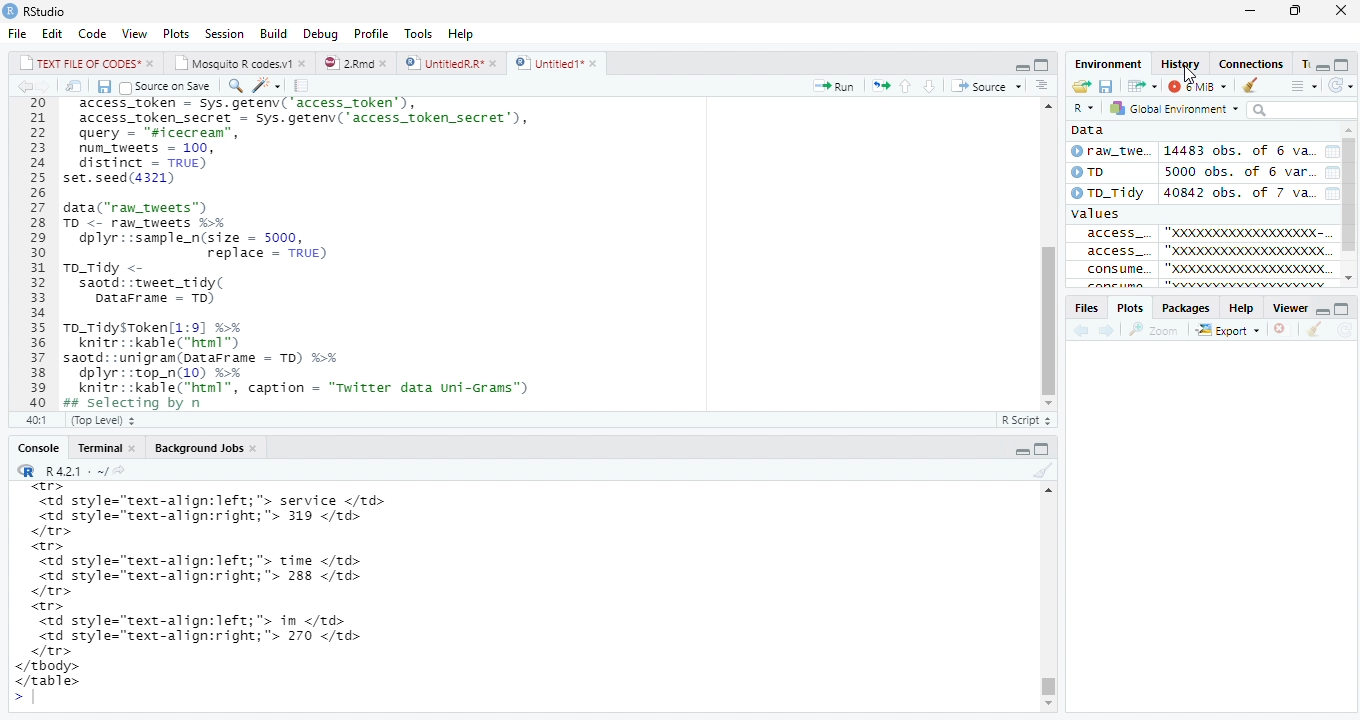  What do you see at coordinates (1336, 306) in the screenshot?
I see `minimize/maximize` at bounding box center [1336, 306].